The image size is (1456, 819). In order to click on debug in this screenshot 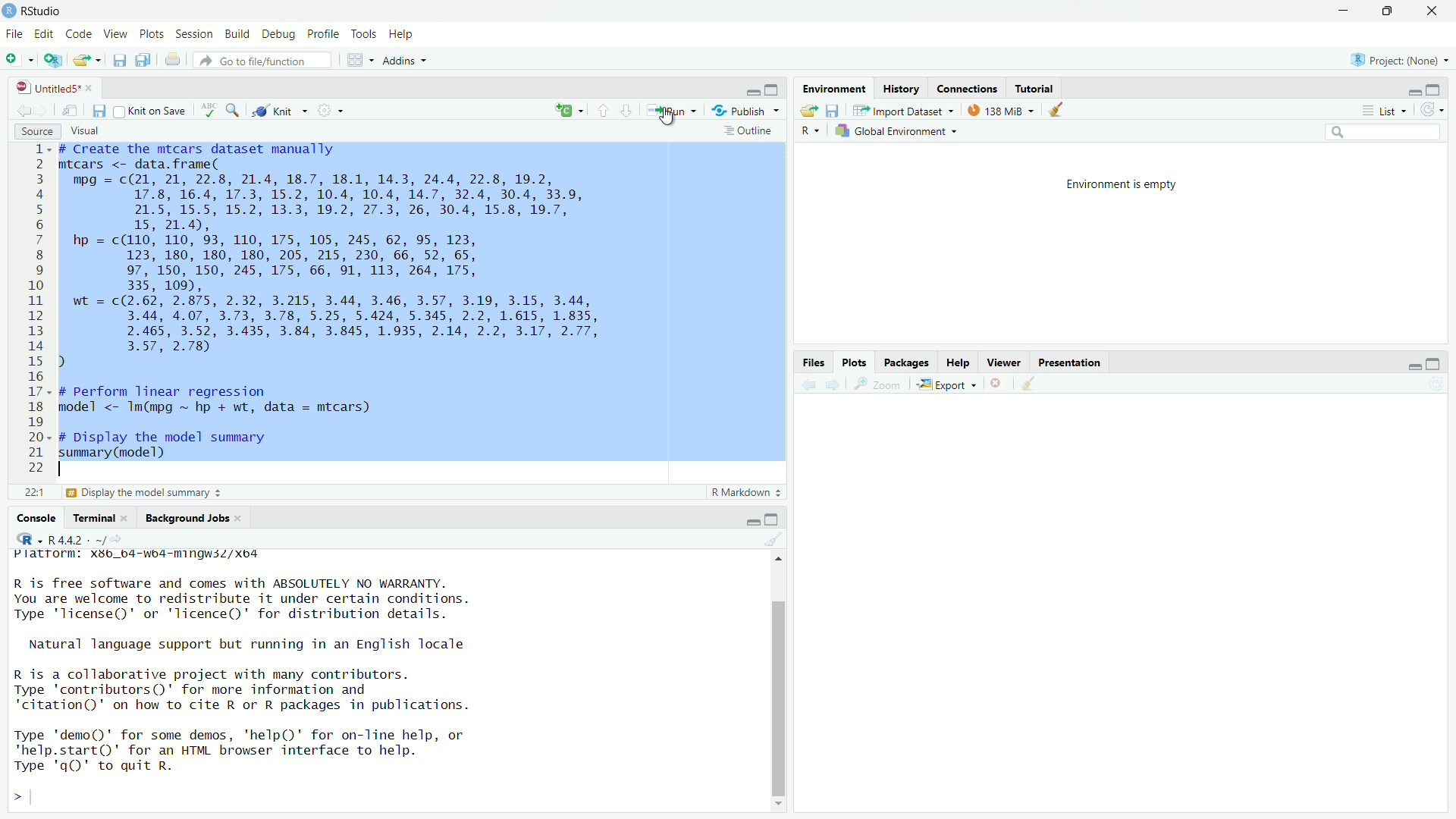, I will do `click(280, 34)`.